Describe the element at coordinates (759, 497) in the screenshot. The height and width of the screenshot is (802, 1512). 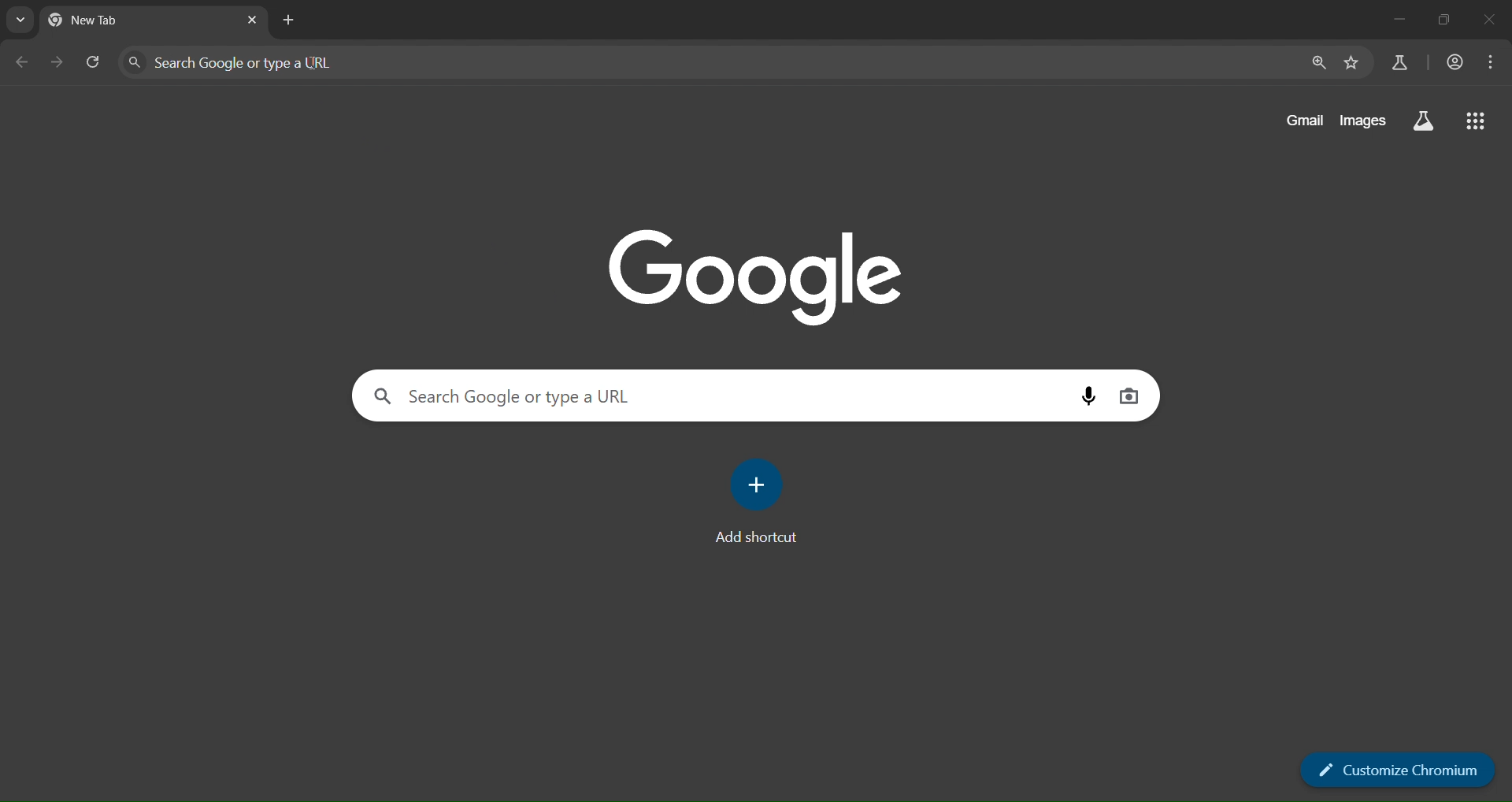
I see `add shortcut` at that location.